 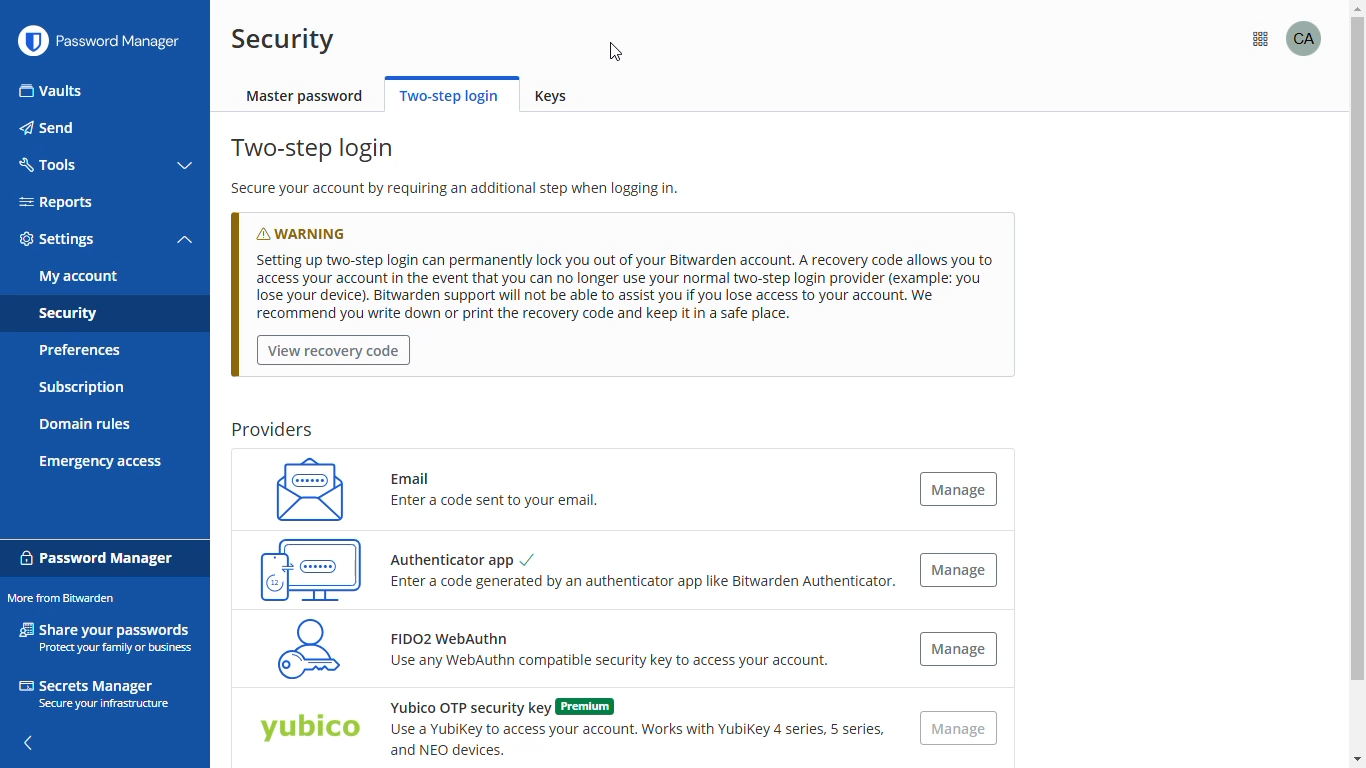 I want to click on emergency access, so click(x=101, y=462).